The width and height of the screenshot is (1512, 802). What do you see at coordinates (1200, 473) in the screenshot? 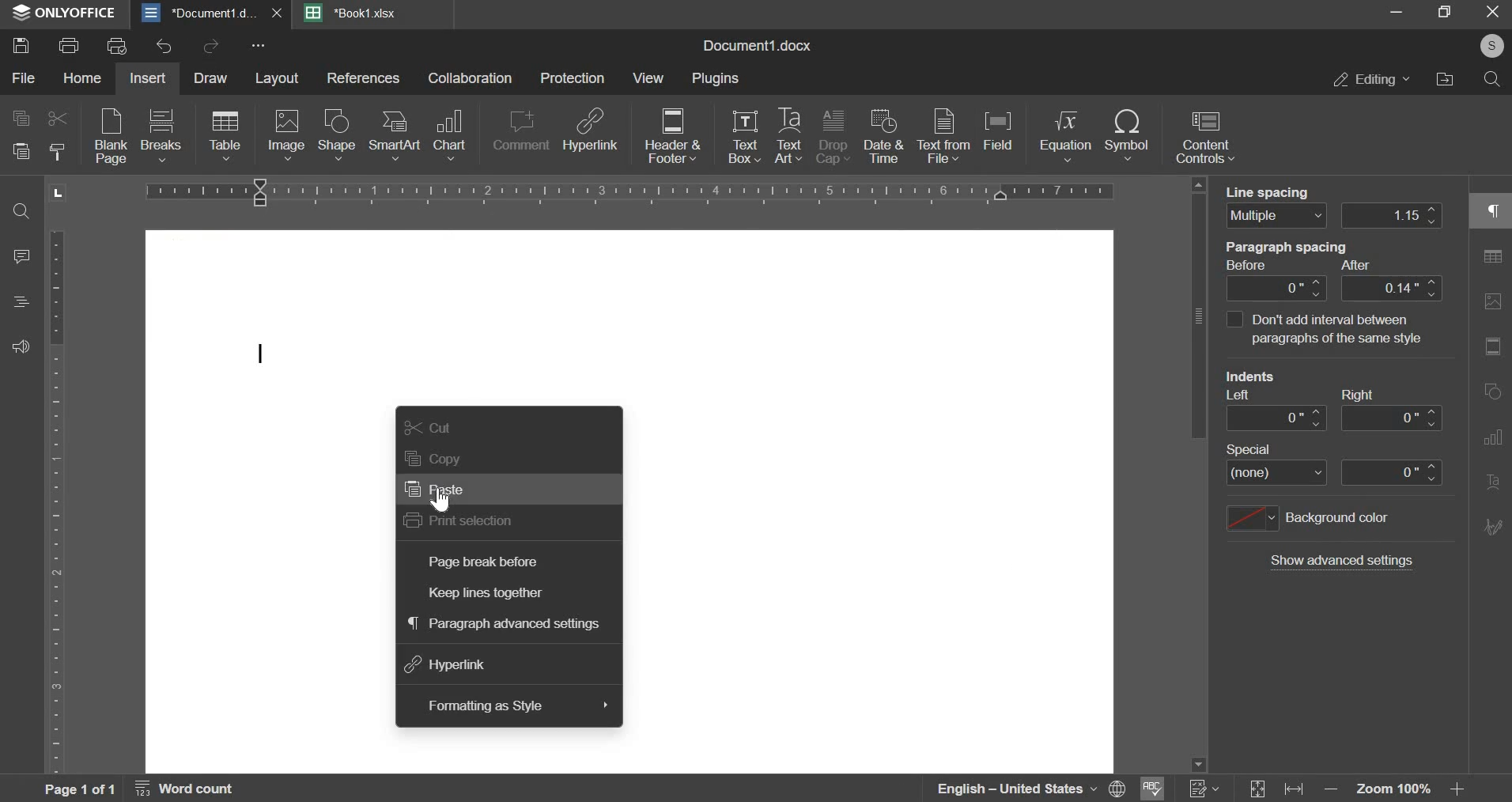
I see `scroll bar` at bounding box center [1200, 473].